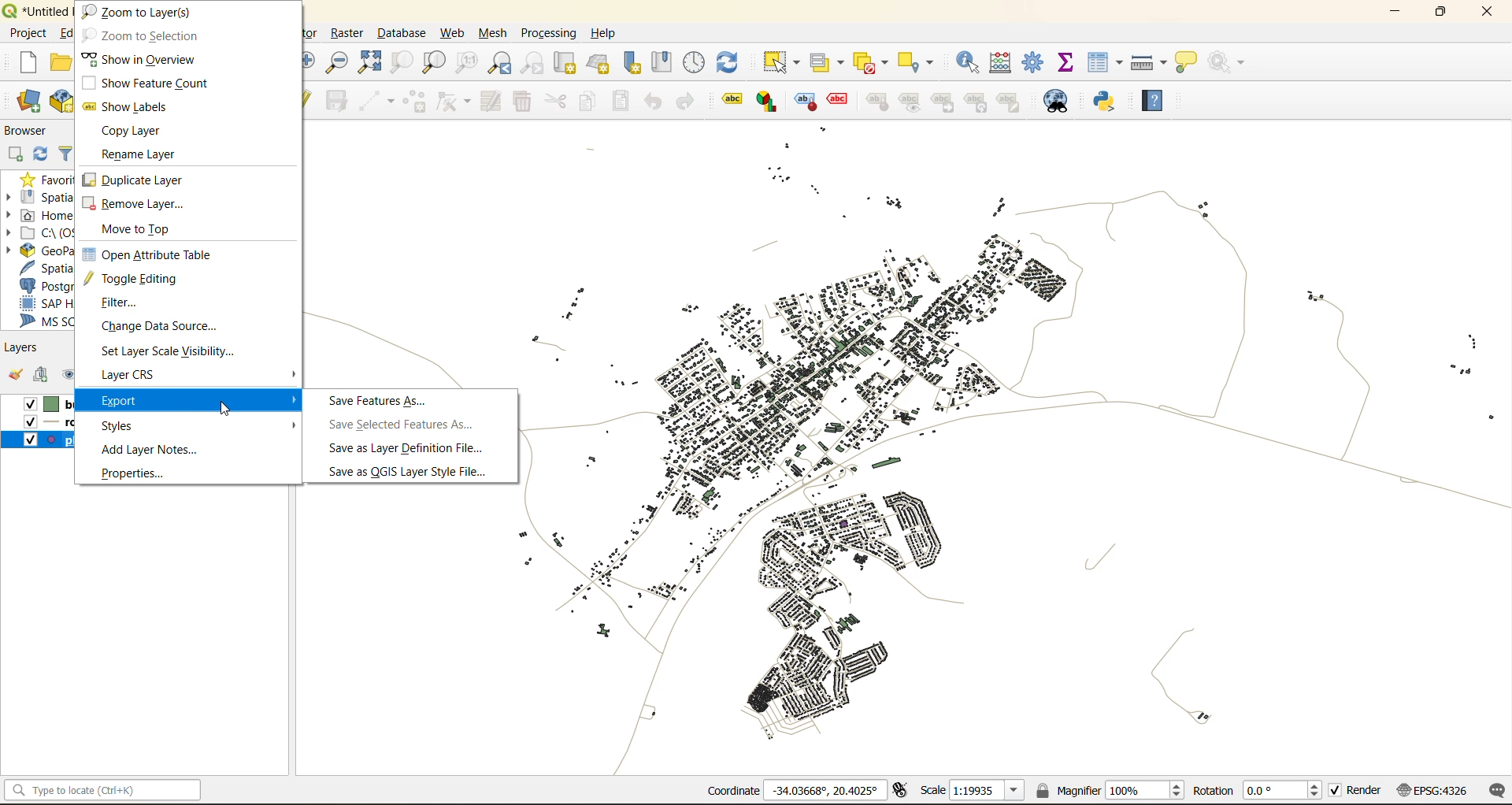  What do you see at coordinates (625, 101) in the screenshot?
I see `paste` at bounding box center [625, 101].